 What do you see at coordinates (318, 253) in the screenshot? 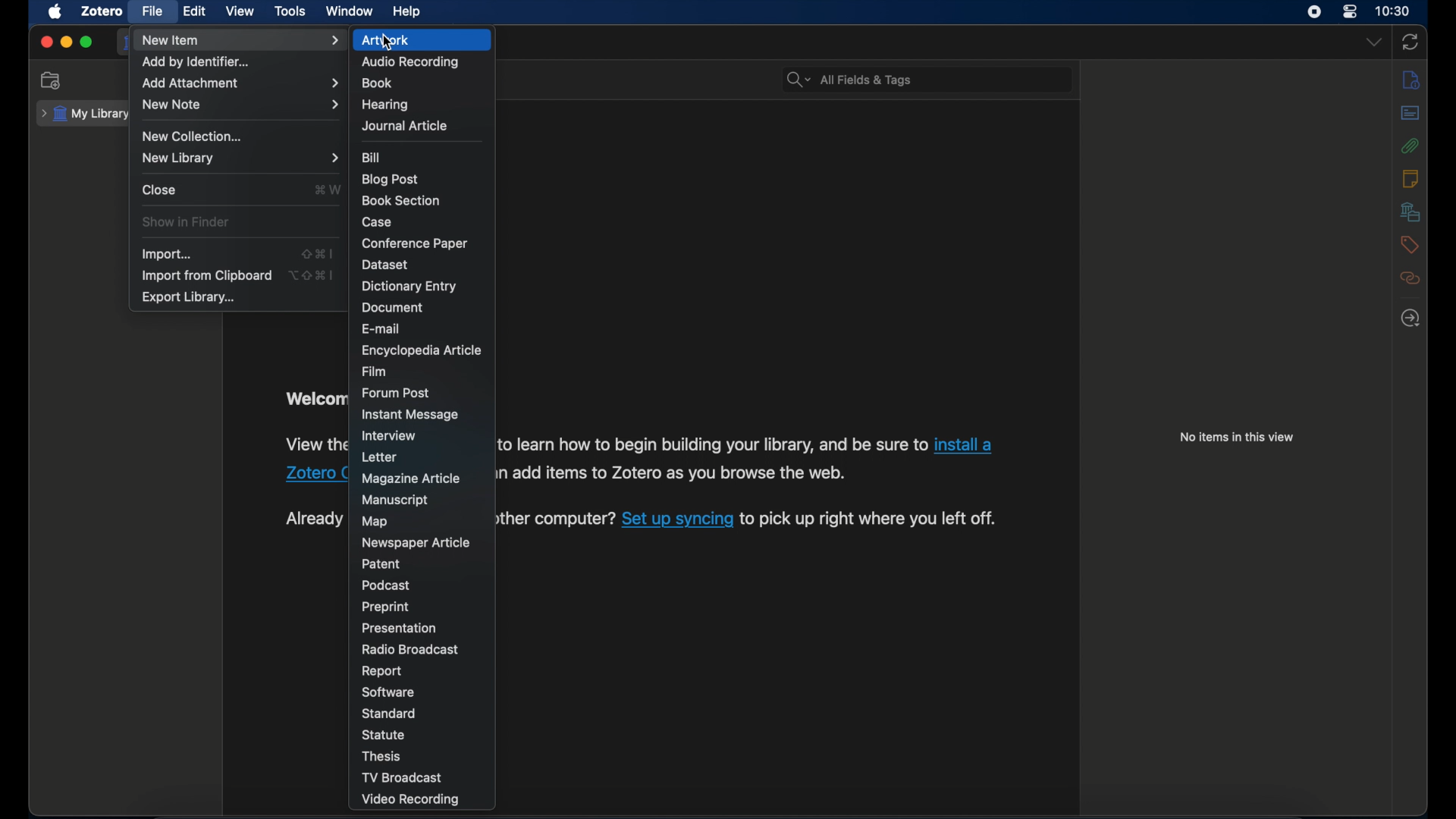
I see `shortcut` at bounding box center [318, 253].